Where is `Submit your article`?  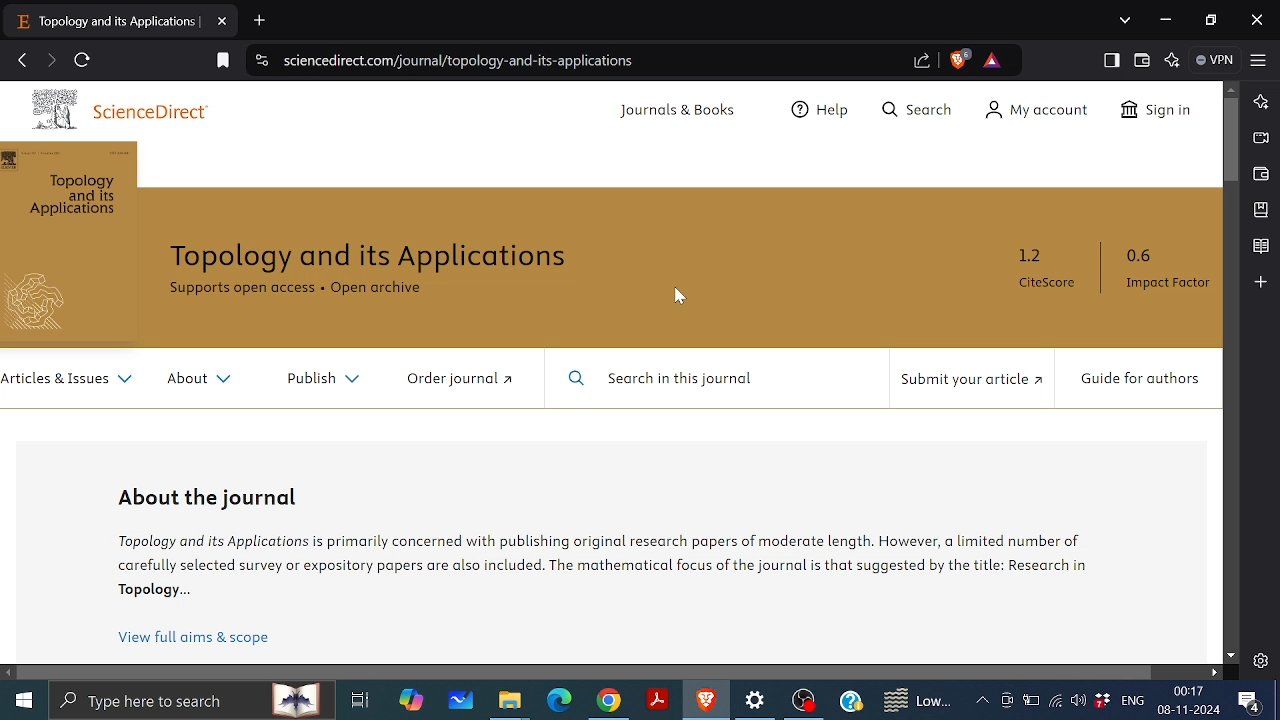
Submit your article is located at coordinates (972, 379).